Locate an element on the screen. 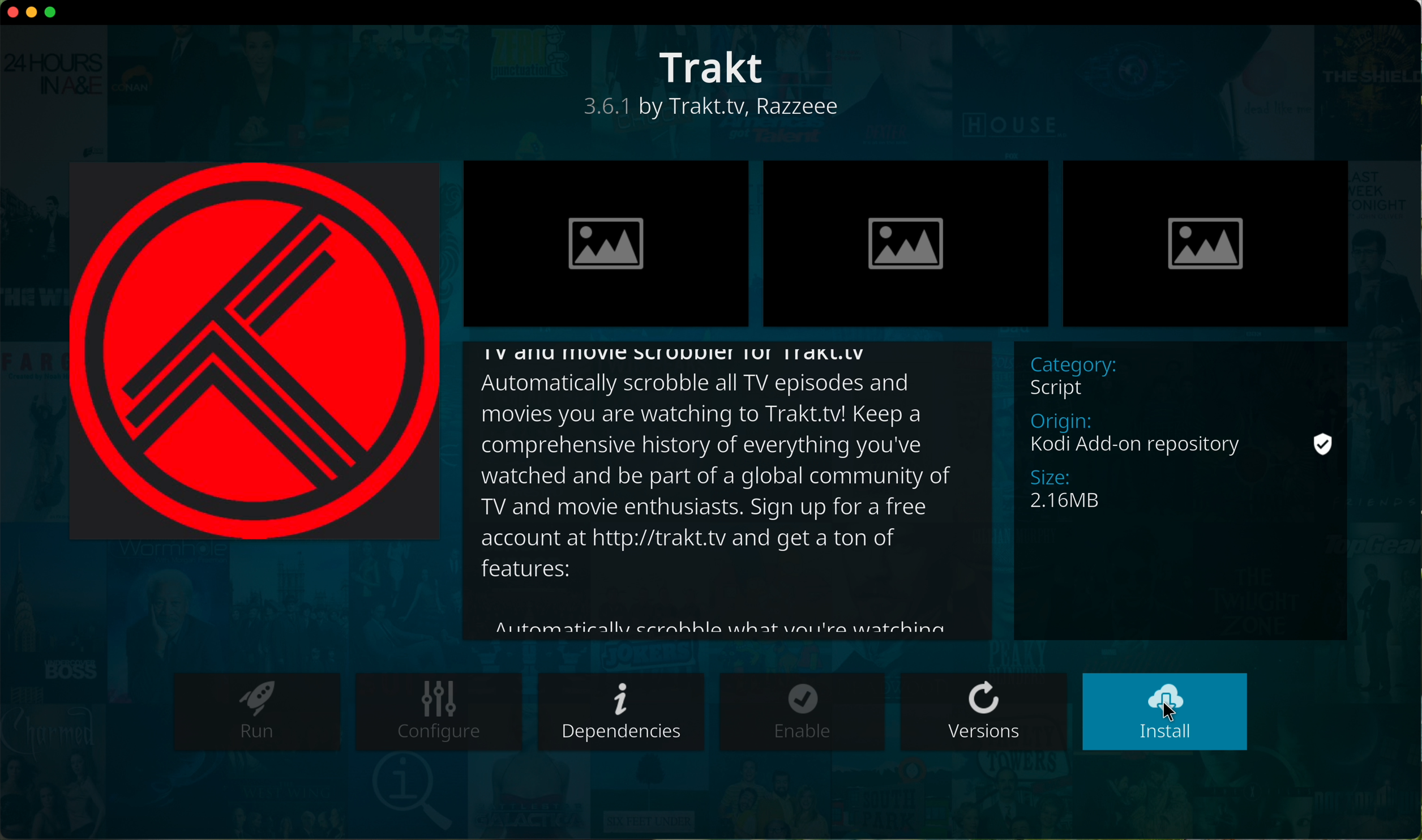  image is located at coordinates (254, 352).